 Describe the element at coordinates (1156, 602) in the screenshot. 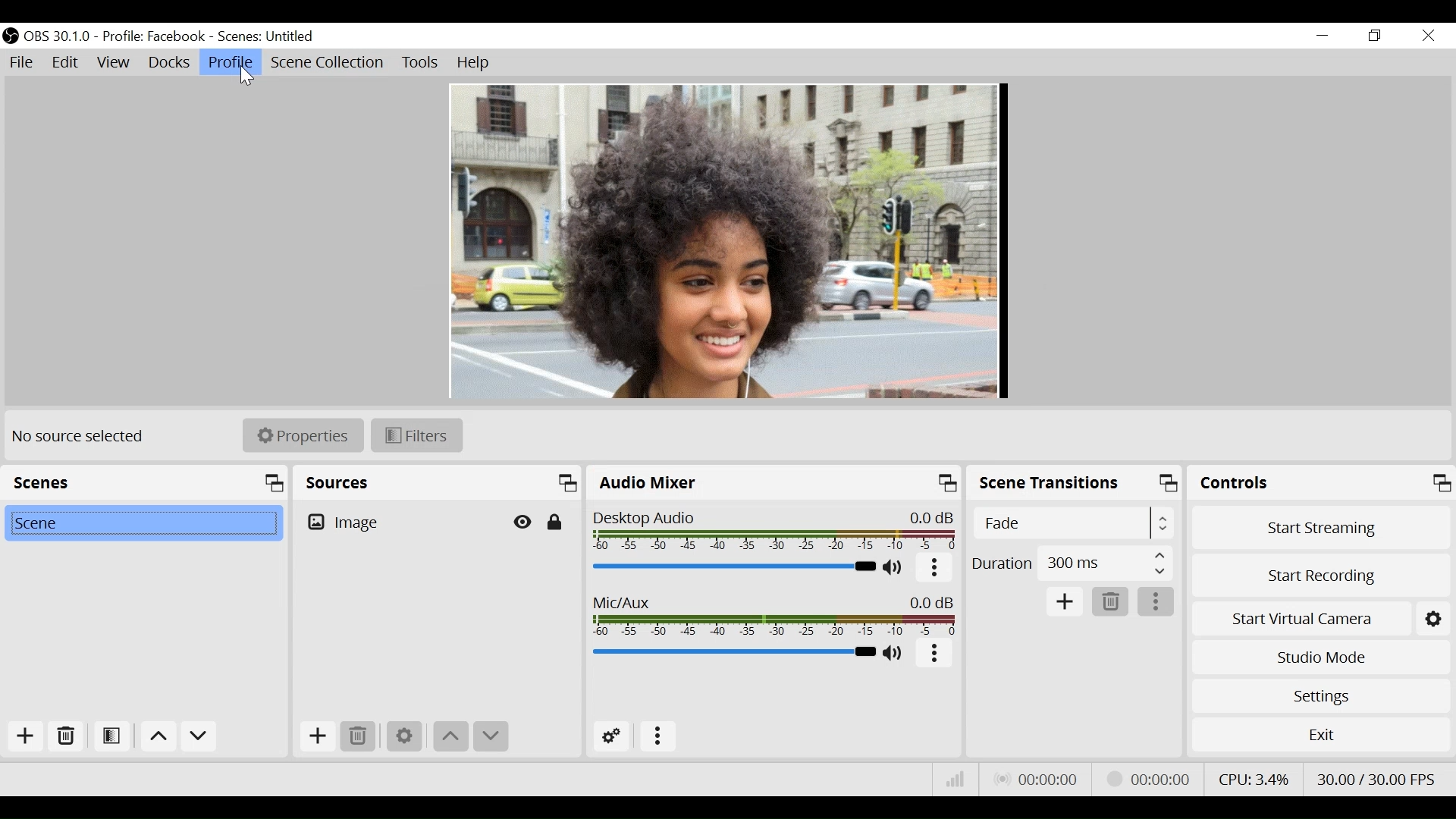

I see `More options` at that location.